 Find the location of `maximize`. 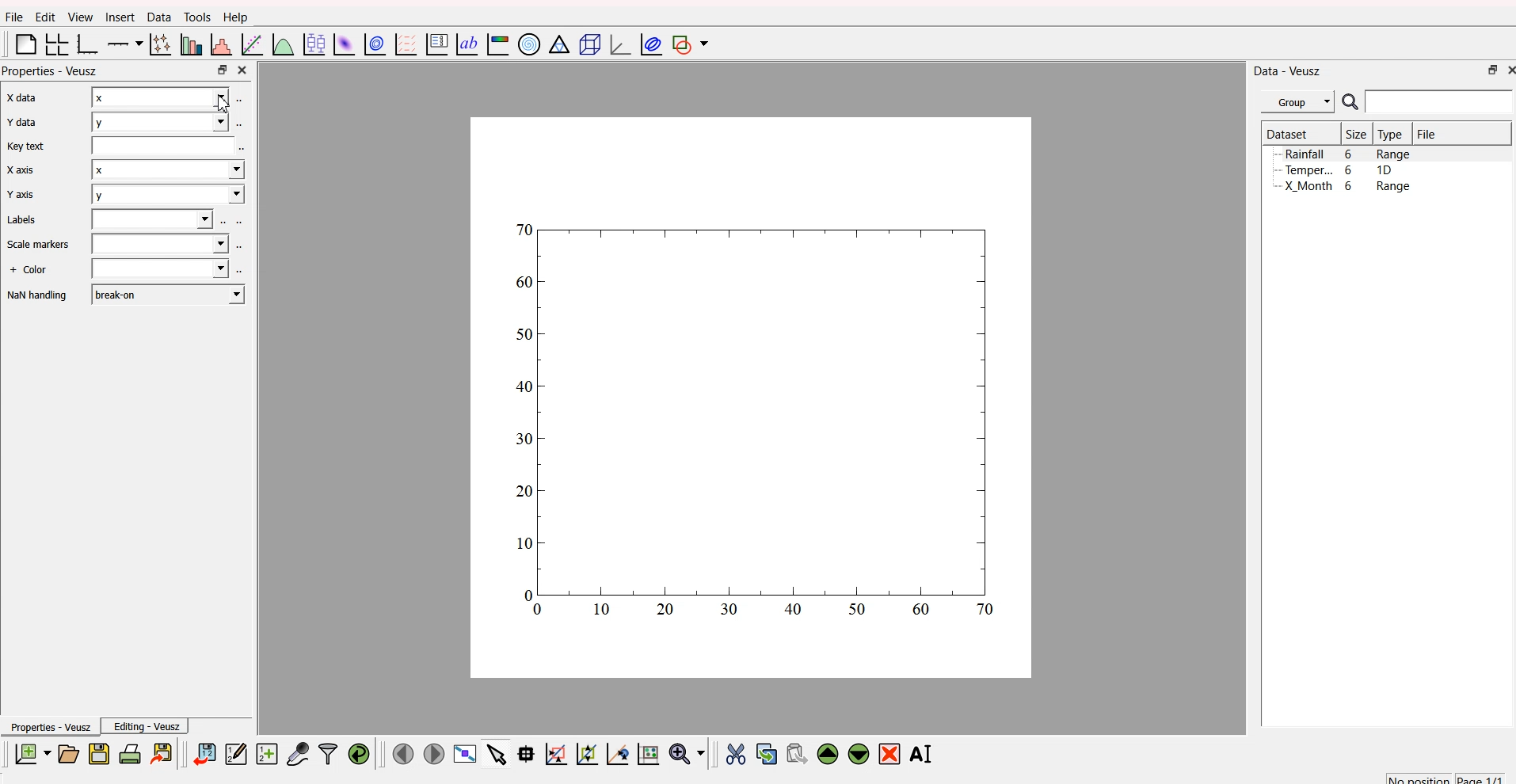

maximize is located at coordinates (1488, 72).